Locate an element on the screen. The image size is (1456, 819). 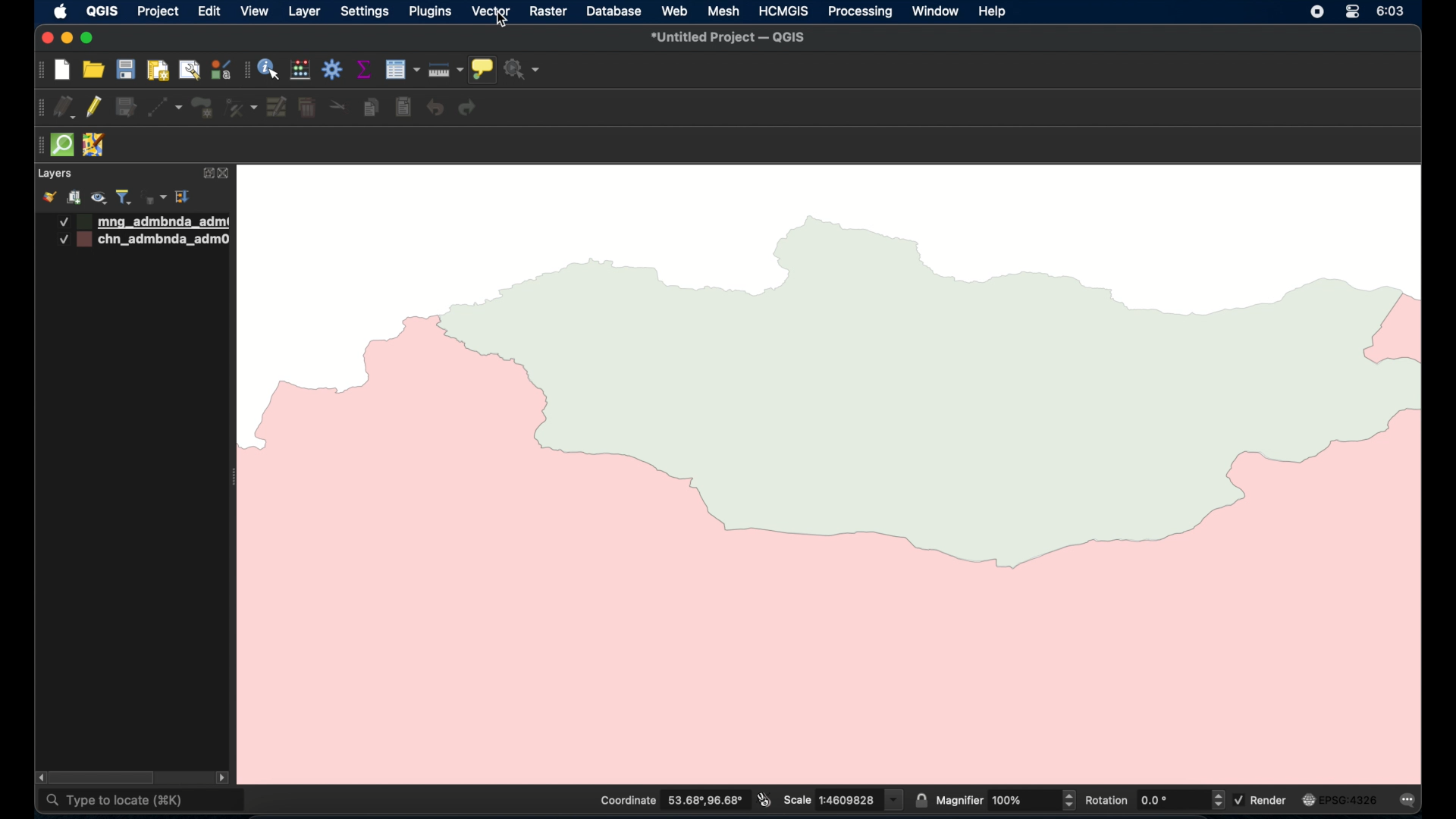
toggle extents and mouse display position is located at coordinates (764, 799).